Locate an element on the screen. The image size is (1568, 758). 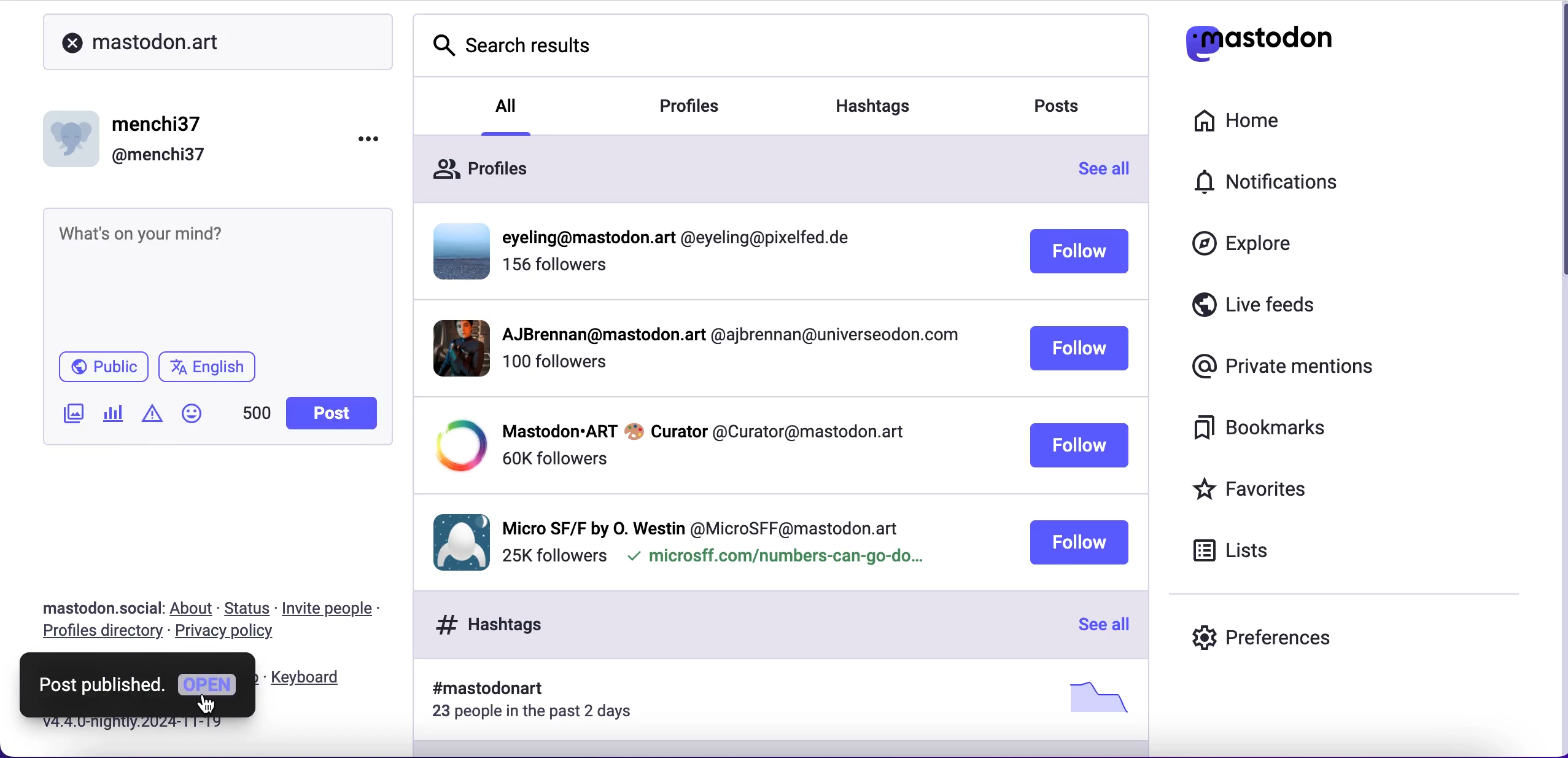
notifications is located at coordinates (1294, 186).